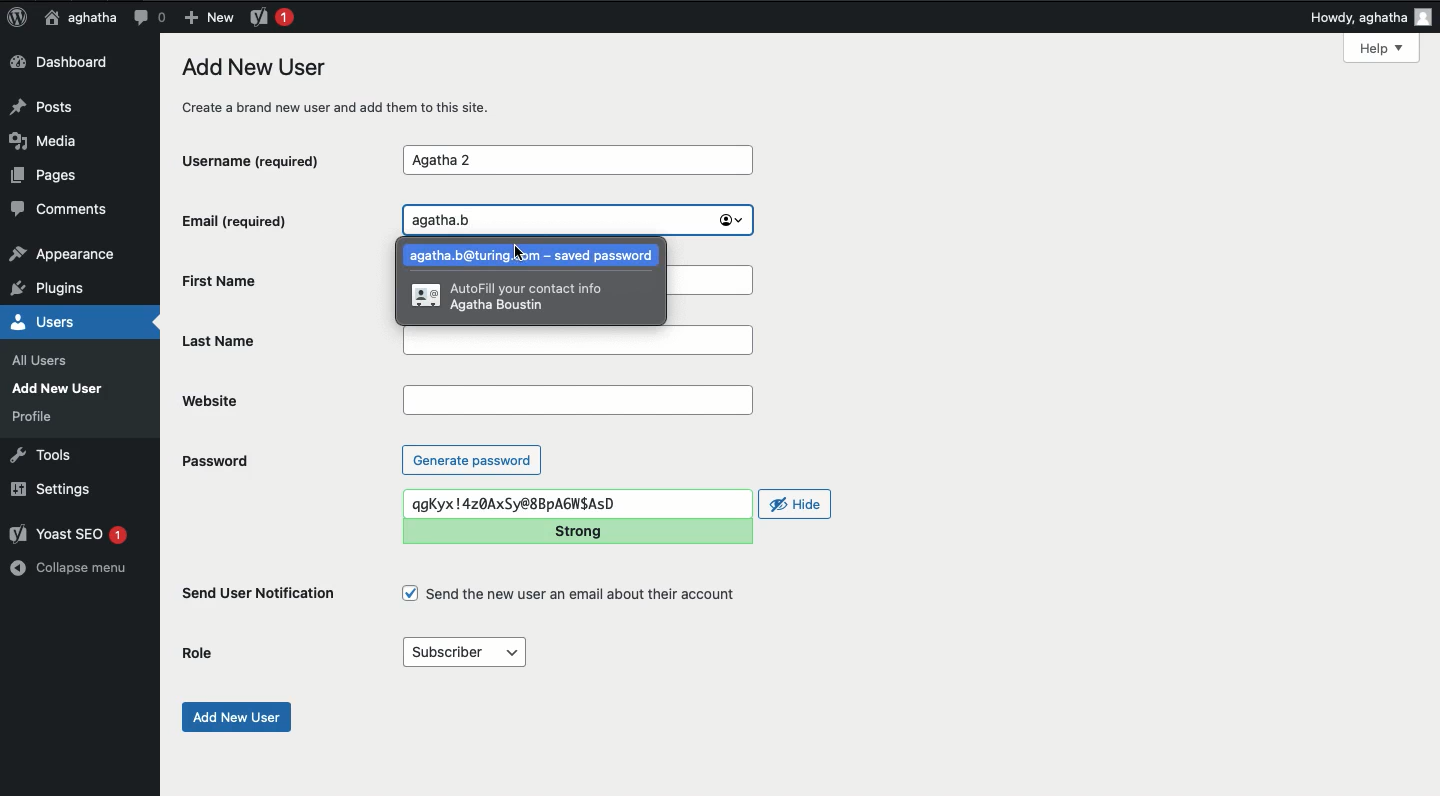 This screenshot has height=796, width=1440. I want to click on Send user notification , so click(260, 597).